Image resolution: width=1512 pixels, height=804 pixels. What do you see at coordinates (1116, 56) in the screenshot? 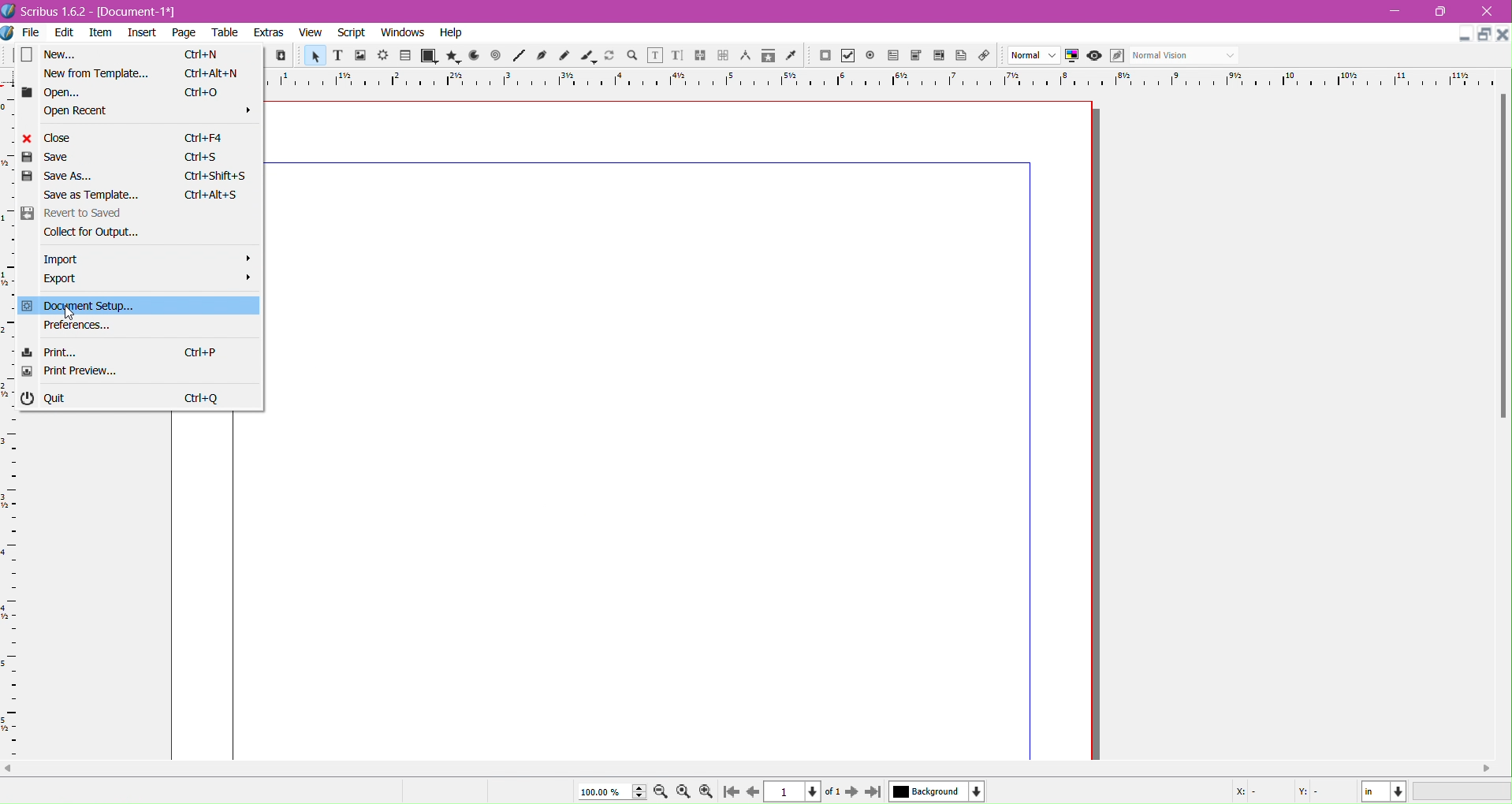
I see `edit preview mode` at bounding box center [1116, 56].